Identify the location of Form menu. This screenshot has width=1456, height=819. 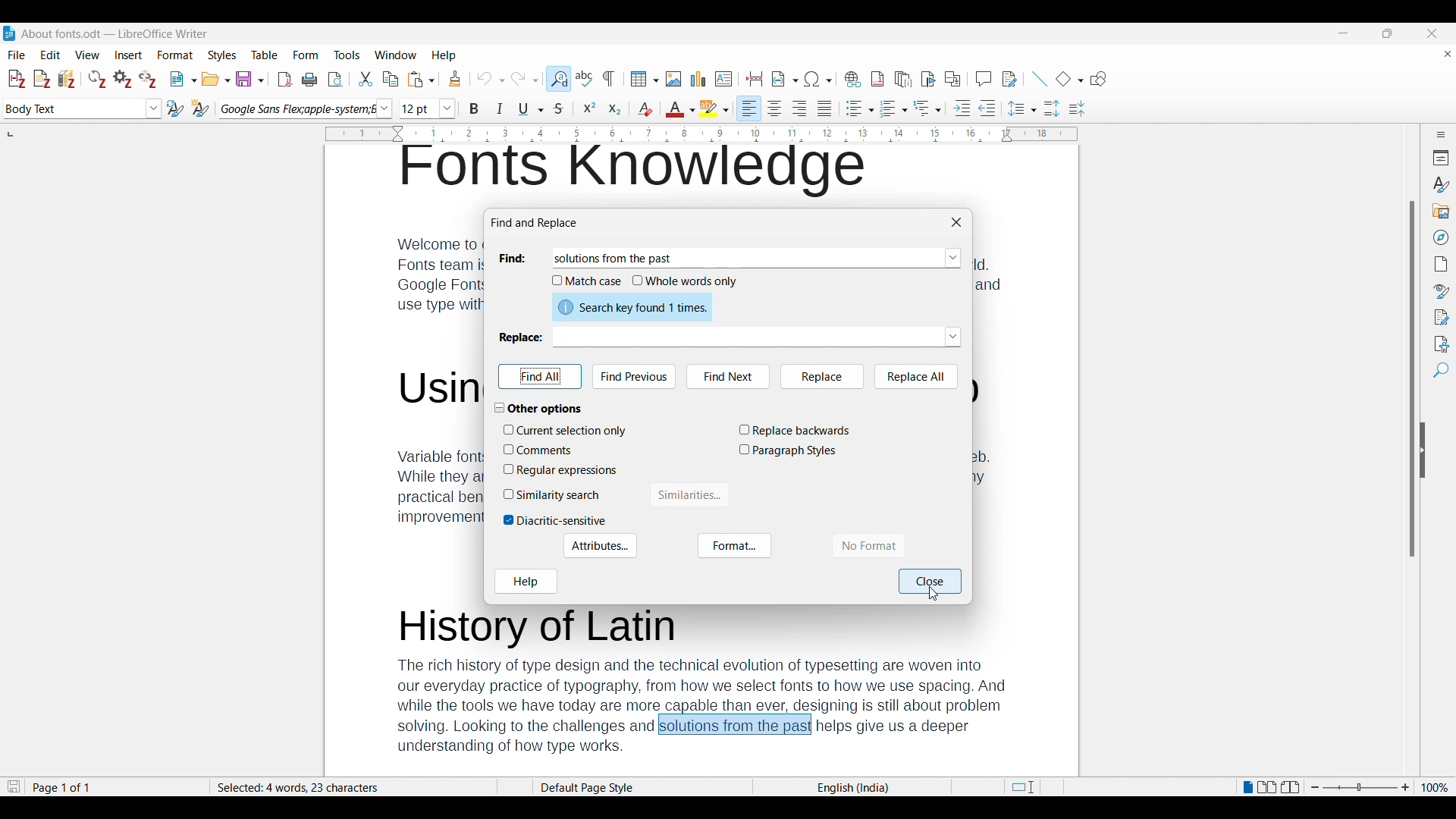
(306, 55).